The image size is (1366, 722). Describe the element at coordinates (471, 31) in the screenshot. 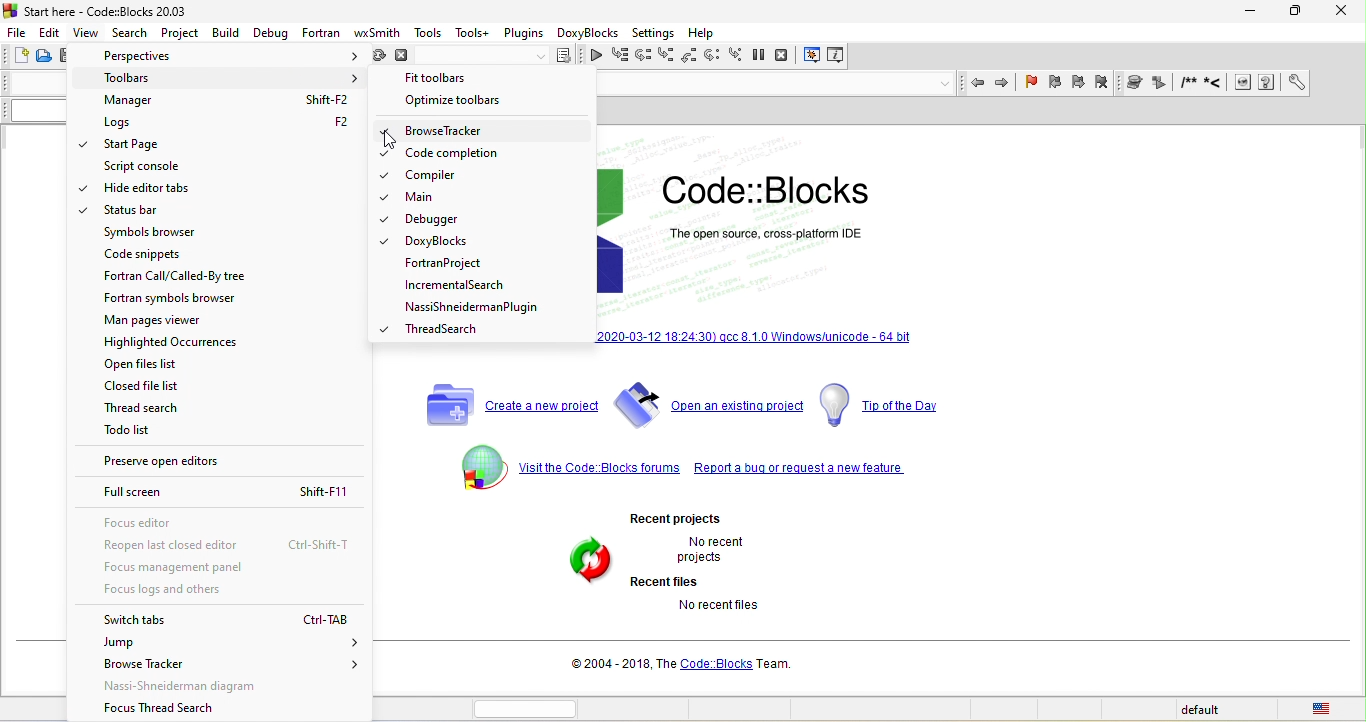

I see `tools+` at that location.